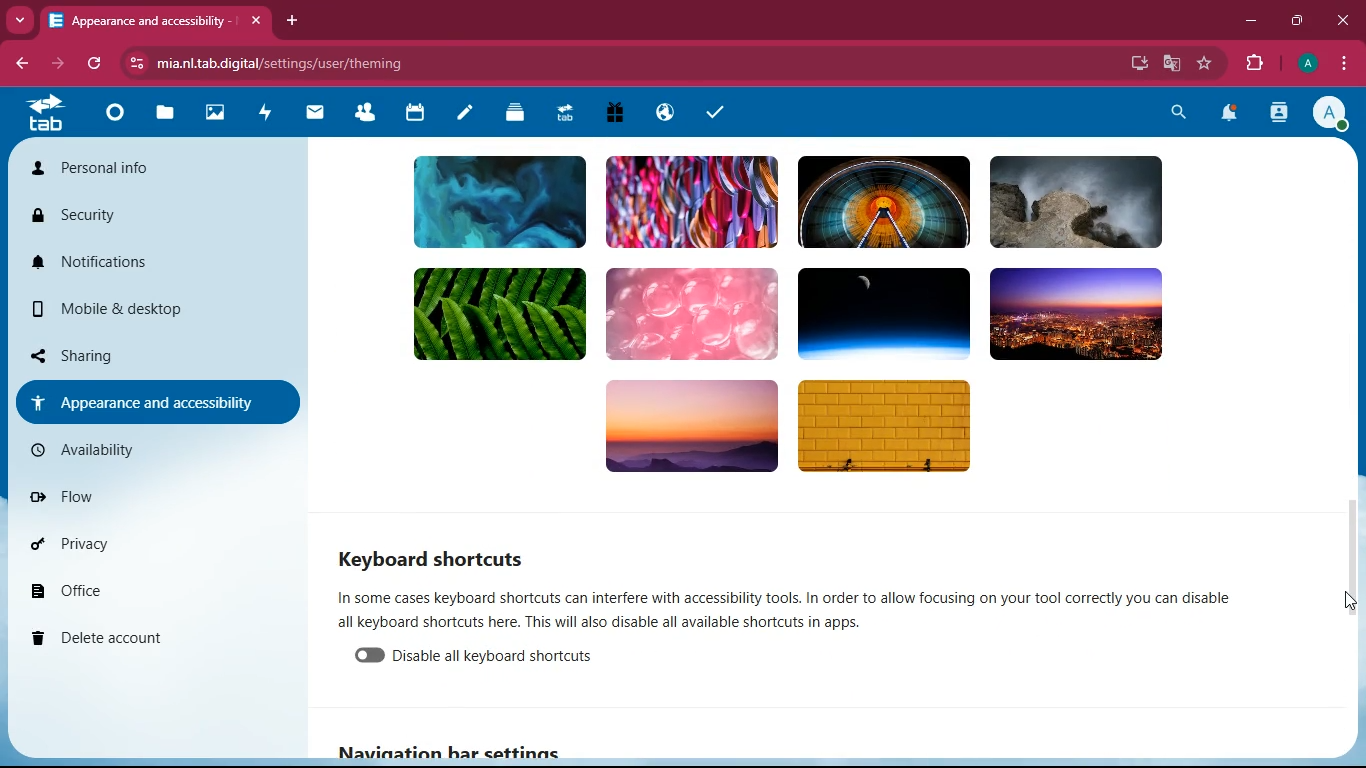 The image size is (1366, 768). I want to click on more, so click(19, 19).